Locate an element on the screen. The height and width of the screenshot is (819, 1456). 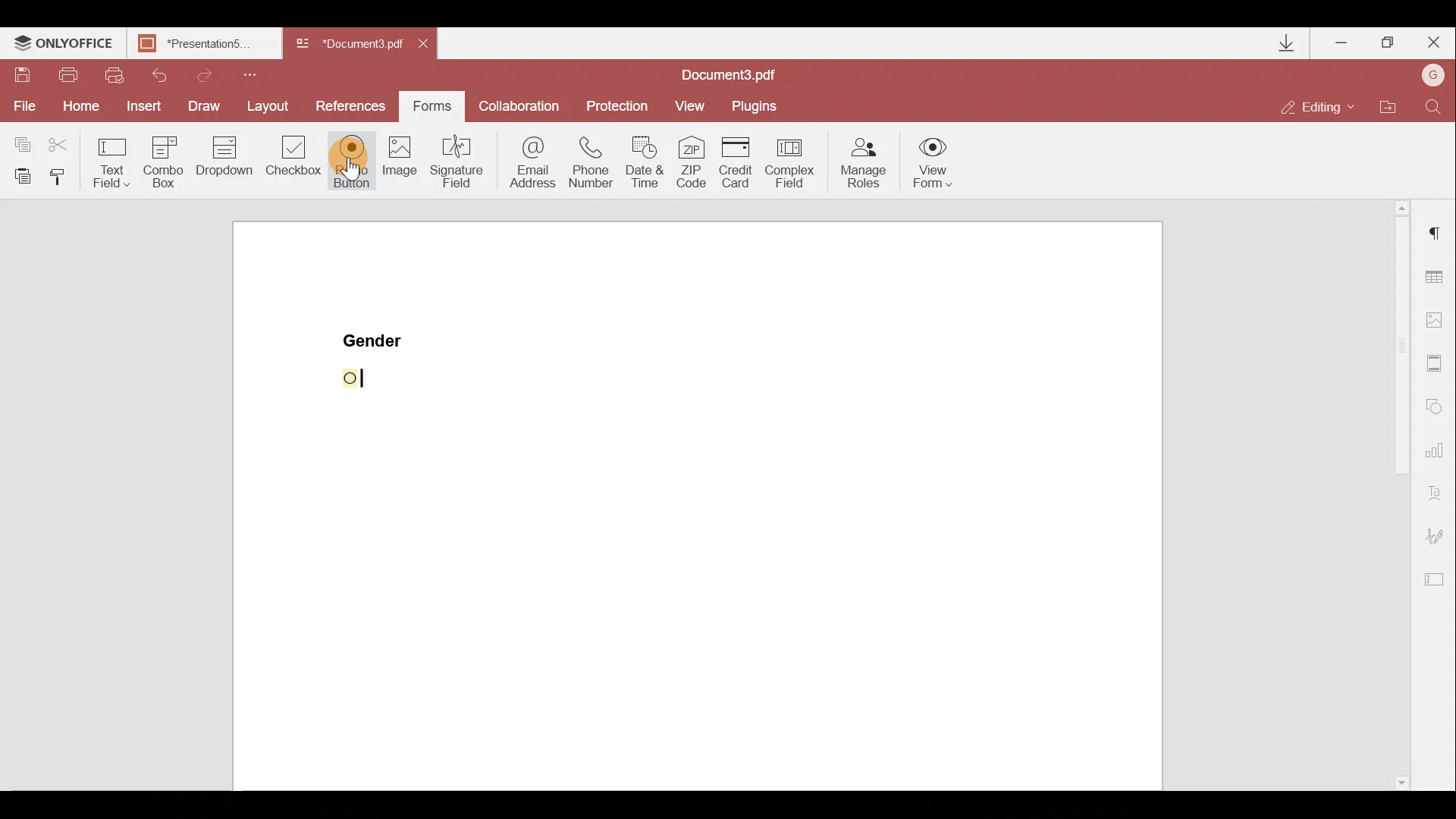
Find is located at coordinates (1434, 104).